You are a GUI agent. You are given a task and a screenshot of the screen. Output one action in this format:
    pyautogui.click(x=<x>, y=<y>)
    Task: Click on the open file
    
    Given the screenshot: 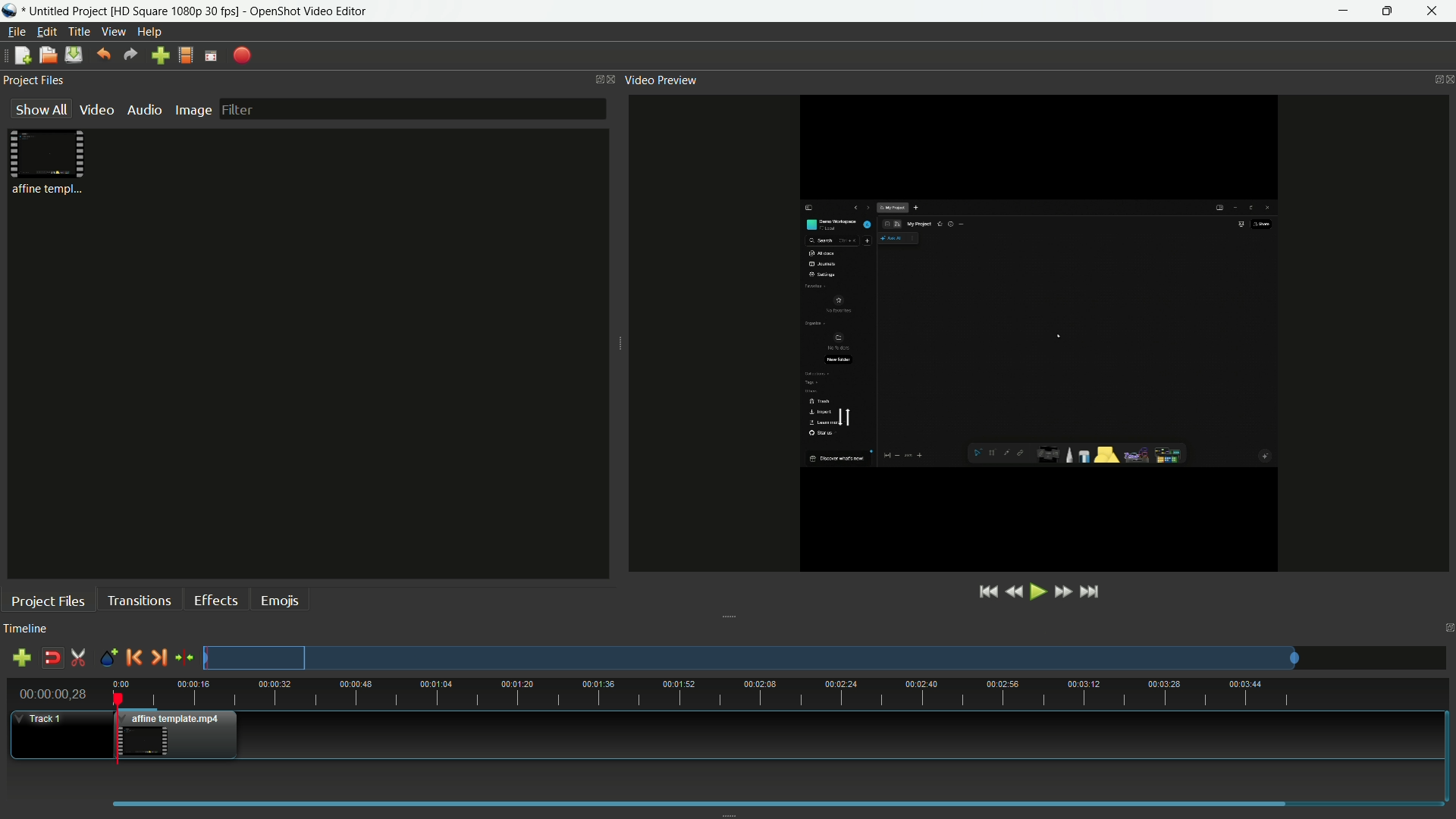 What is the action you would take?
    pyautogui.click(x=48, y=55)
    